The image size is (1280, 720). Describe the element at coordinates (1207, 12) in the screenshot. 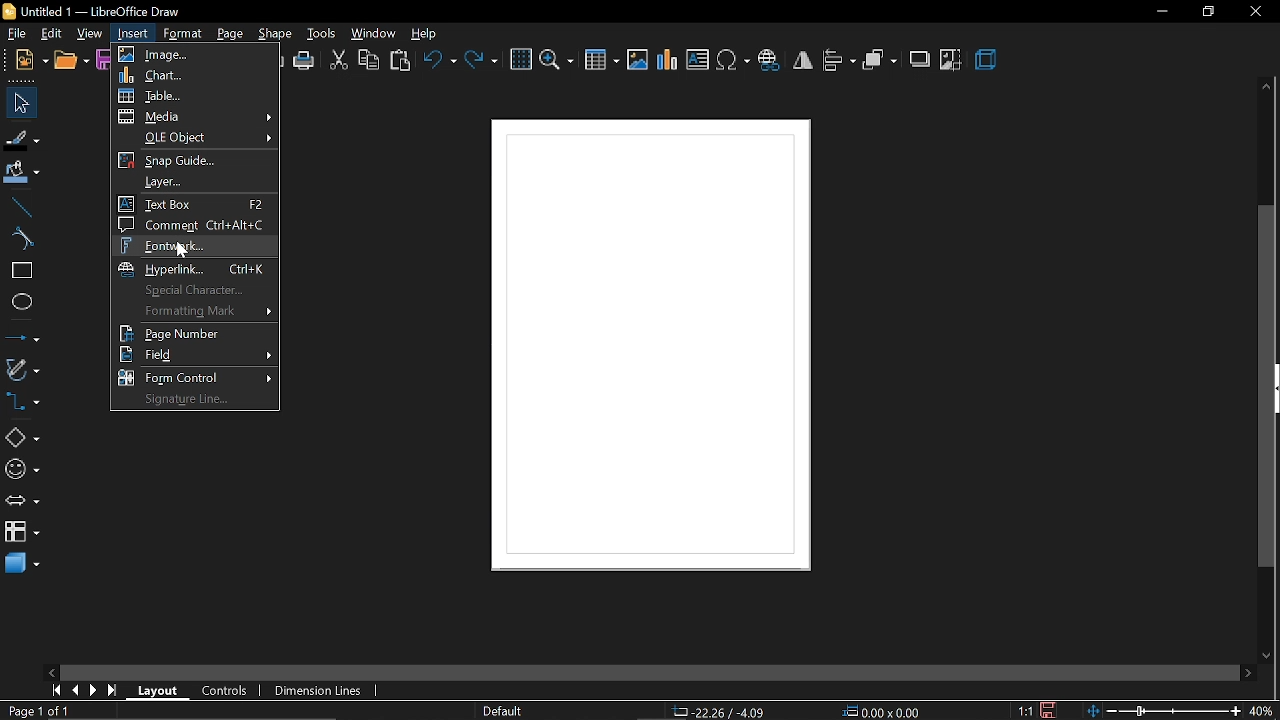

I see `restore down` at that location.